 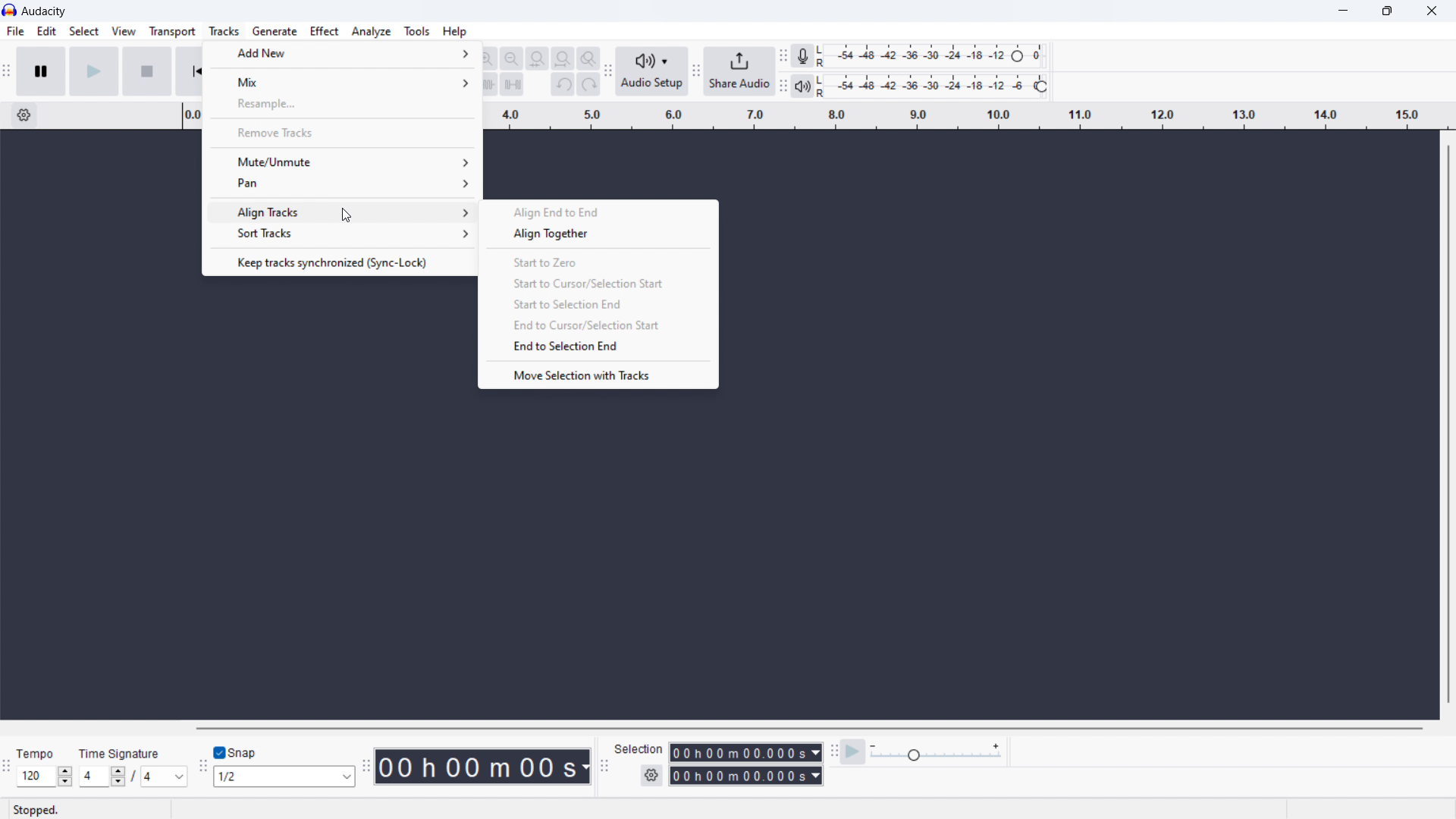 What do you see at coordinates (563, 84) in the screenshot?
I see `undo` at bounding box center [563, 84].